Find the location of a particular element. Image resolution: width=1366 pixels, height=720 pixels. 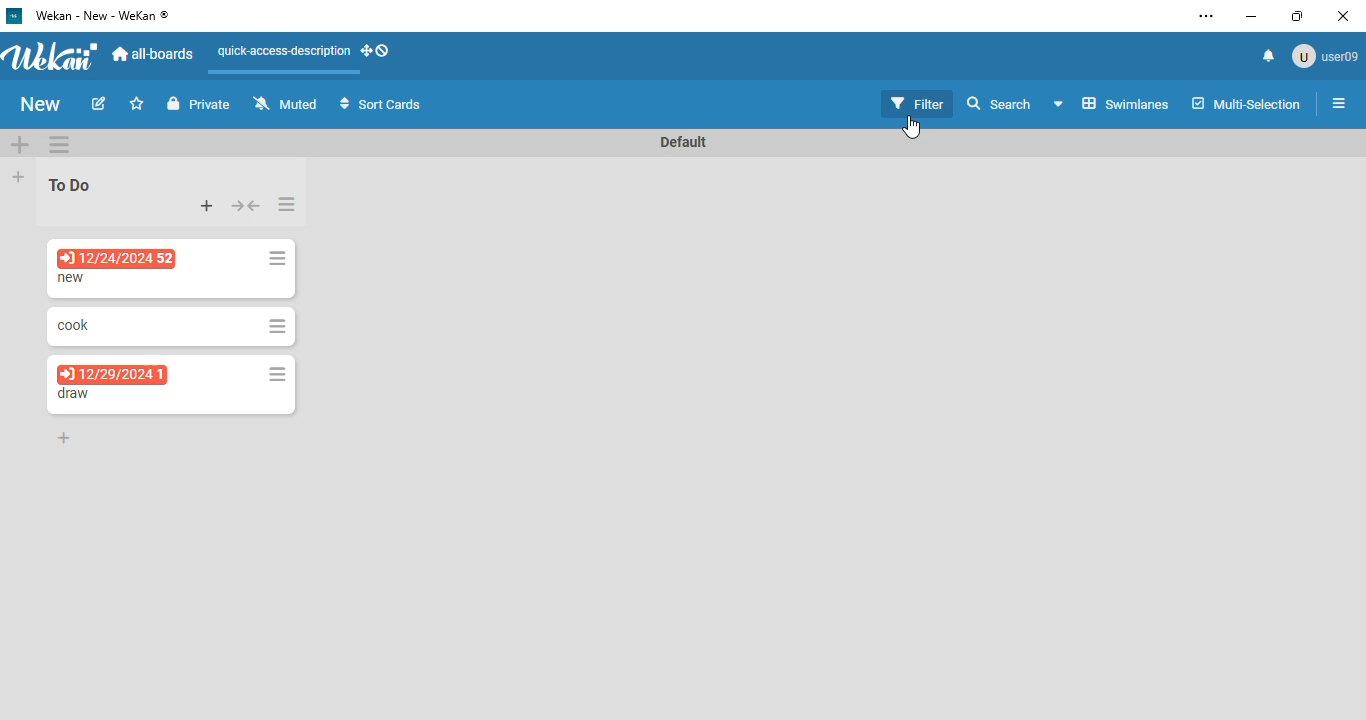

swimlanes is located at coordinates (1112, 103).